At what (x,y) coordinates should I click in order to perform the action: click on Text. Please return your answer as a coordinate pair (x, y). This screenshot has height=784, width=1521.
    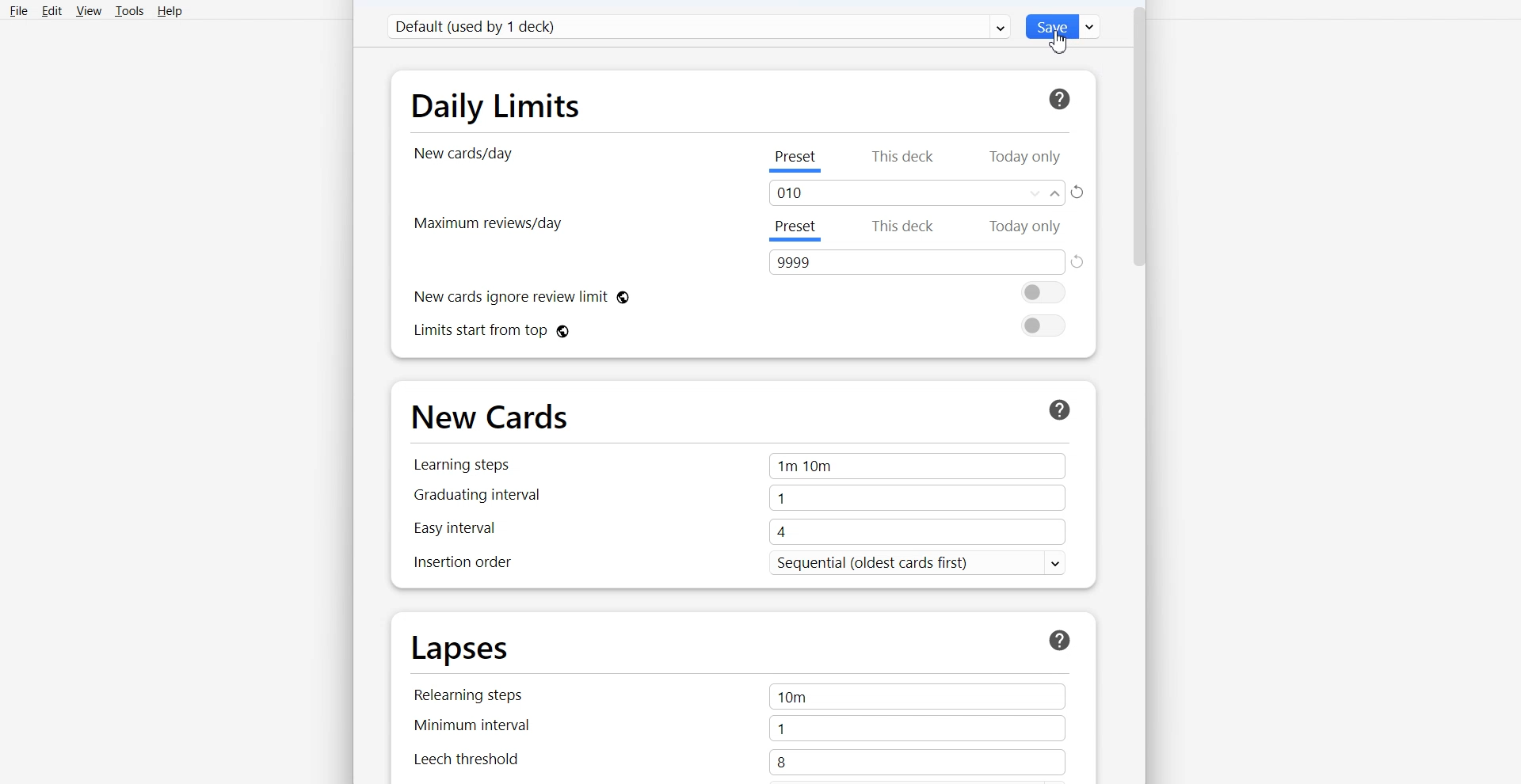
    Looking at the image, I should click on (917, 262).